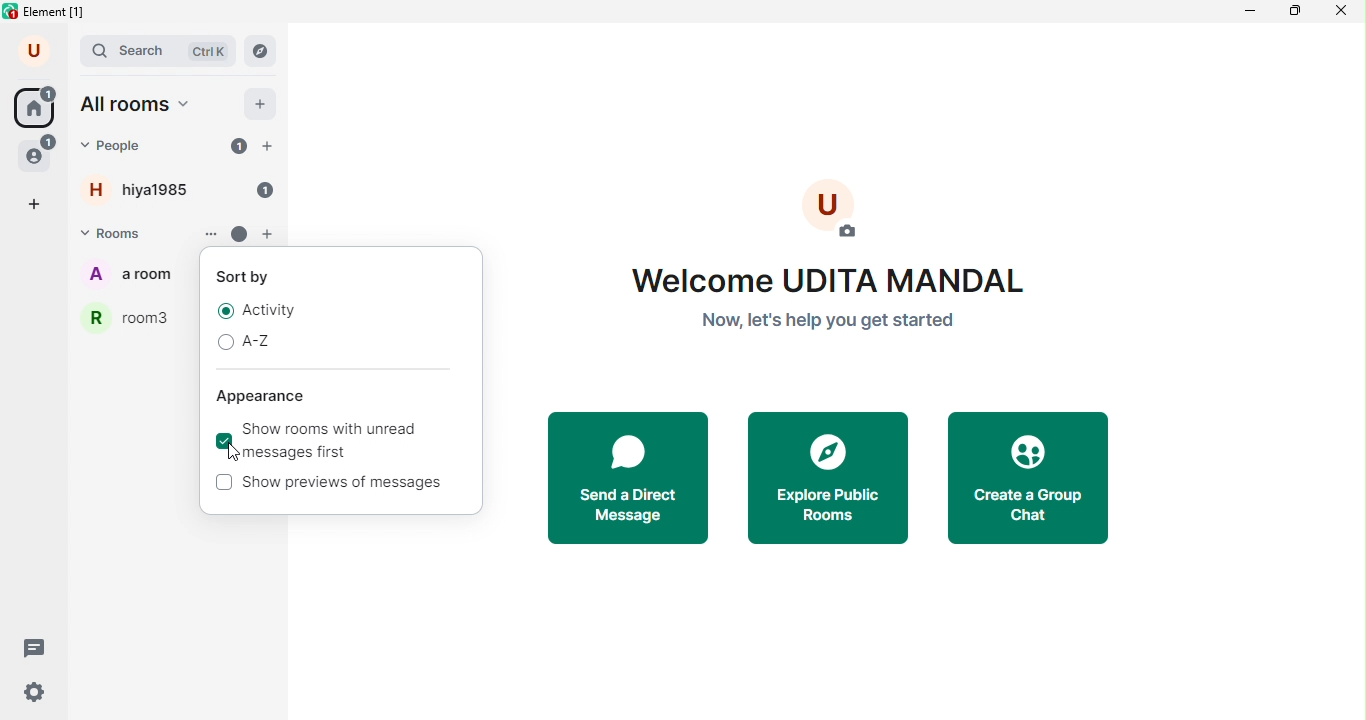  I want to click on minimize, so click(1252, 11).